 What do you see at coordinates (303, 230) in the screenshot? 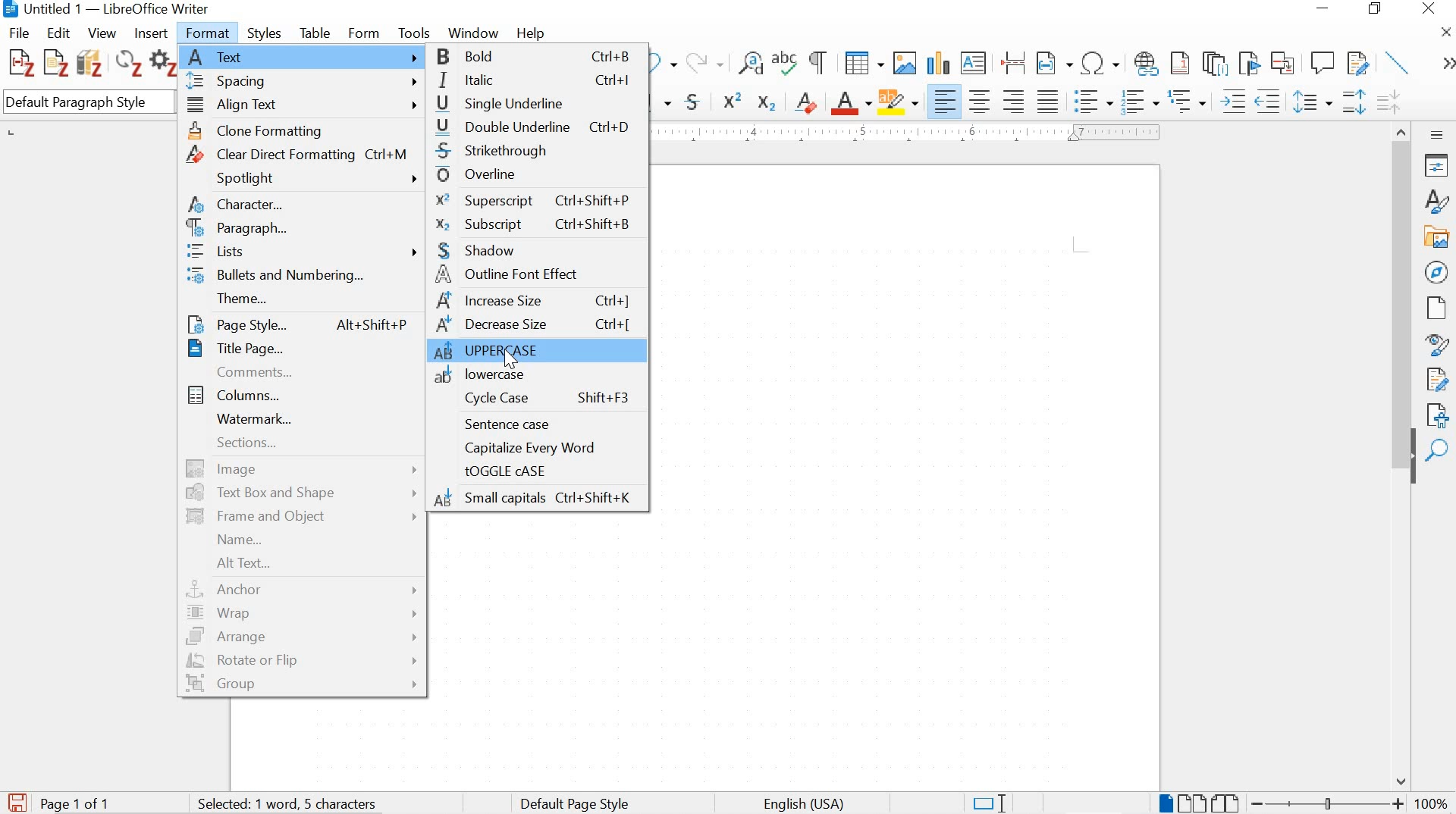
I see `paragraph` at bounding box center [303, 230].